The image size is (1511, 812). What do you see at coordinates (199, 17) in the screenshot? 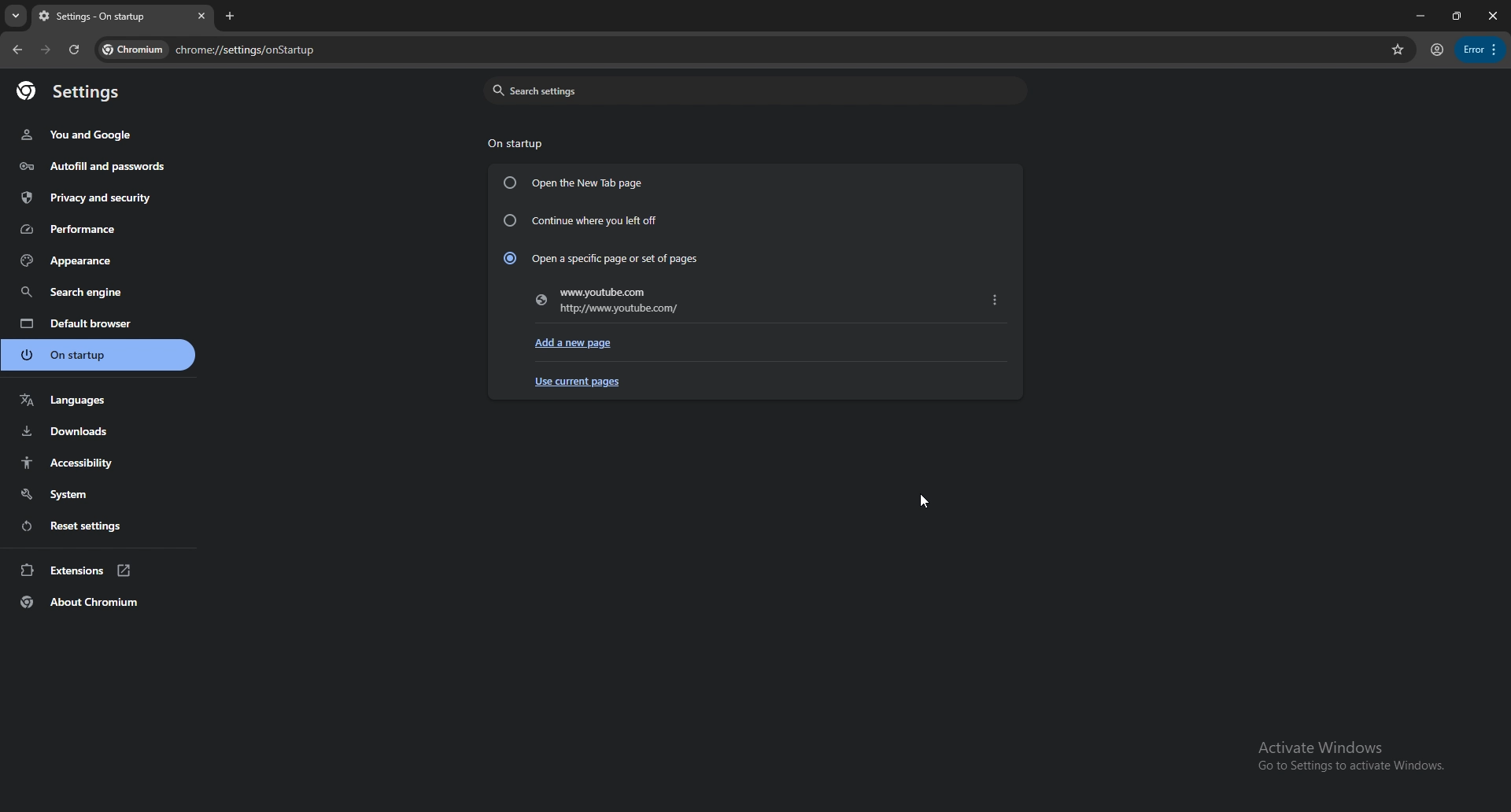
I see `close tab` at bounding box center [199, 17].